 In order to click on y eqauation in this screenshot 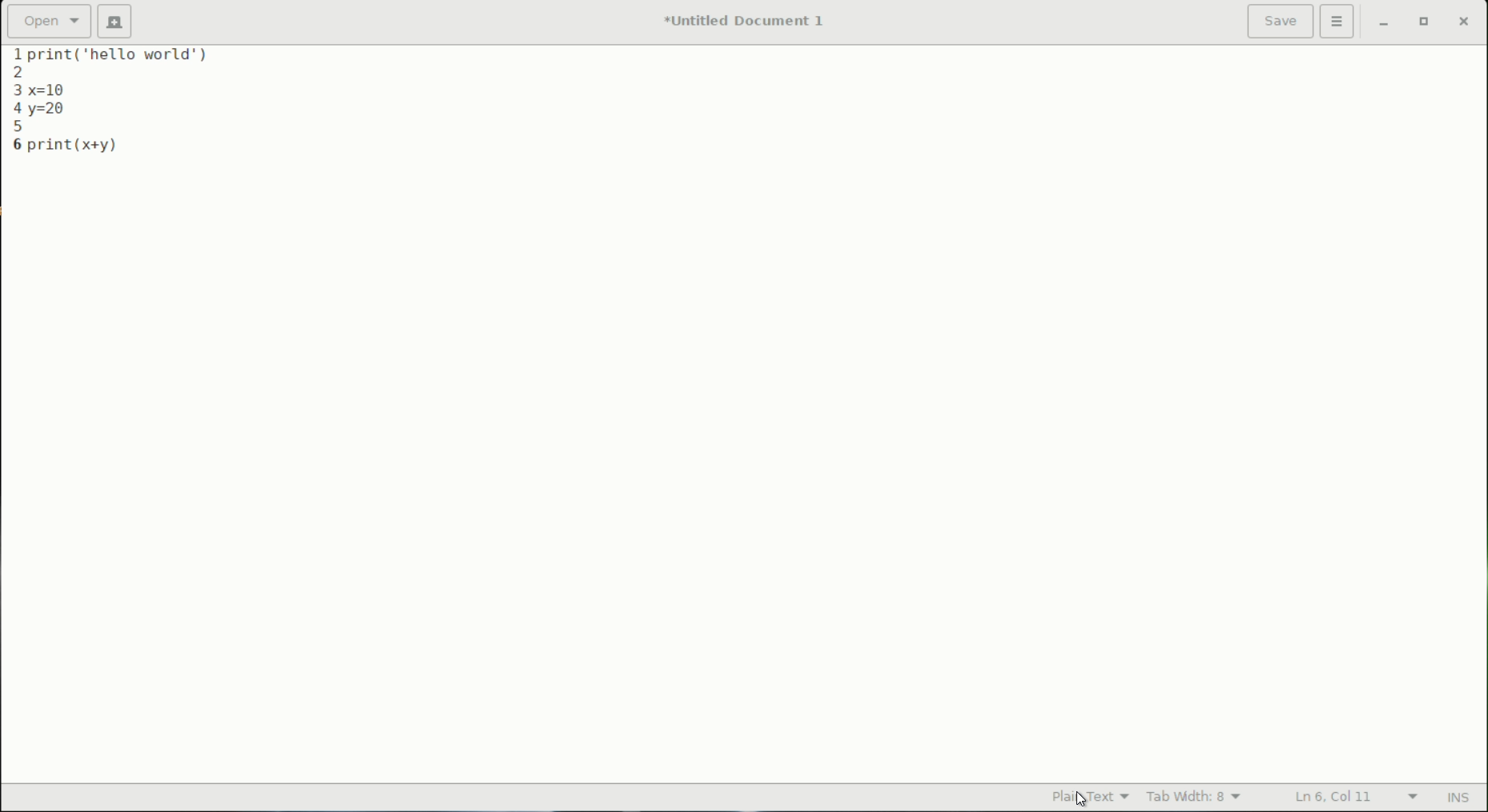, I will do `click(54, 111)`.